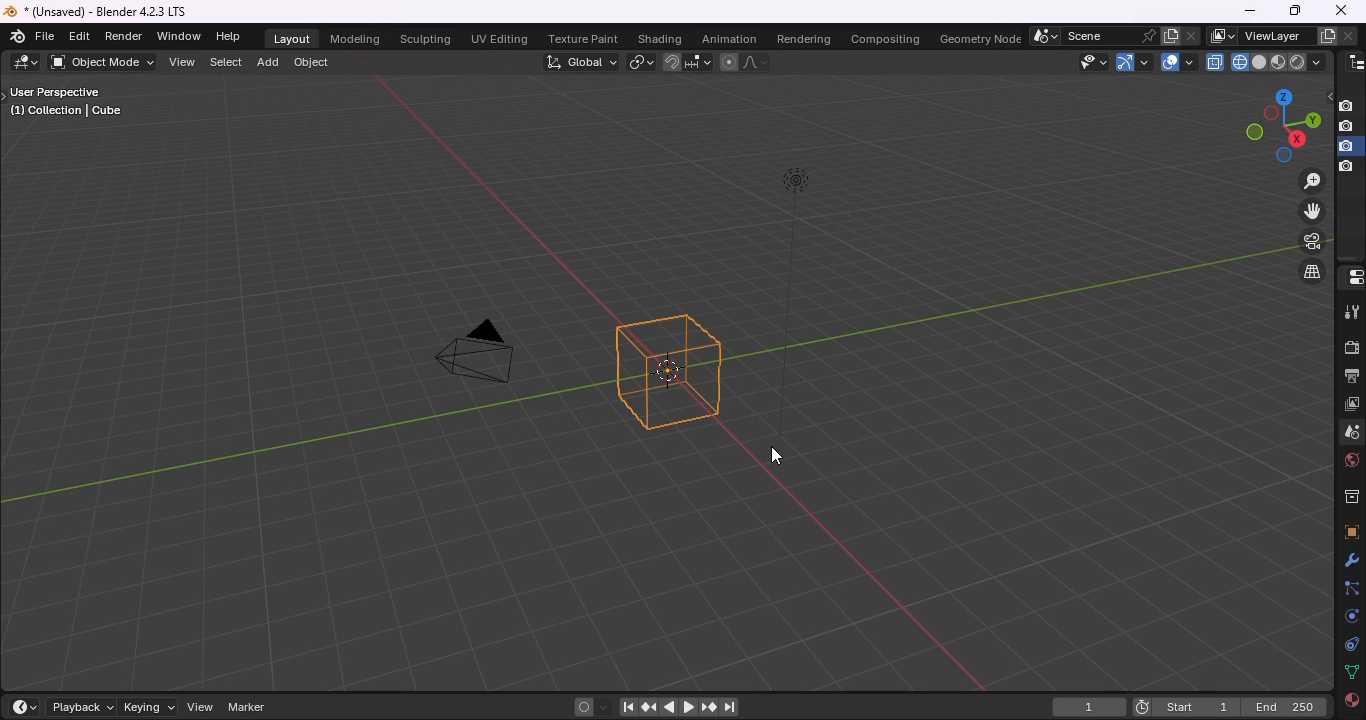  Describe the element at coordinates (1133, 62) in the screenshot. I see `show gizmo` at that location.